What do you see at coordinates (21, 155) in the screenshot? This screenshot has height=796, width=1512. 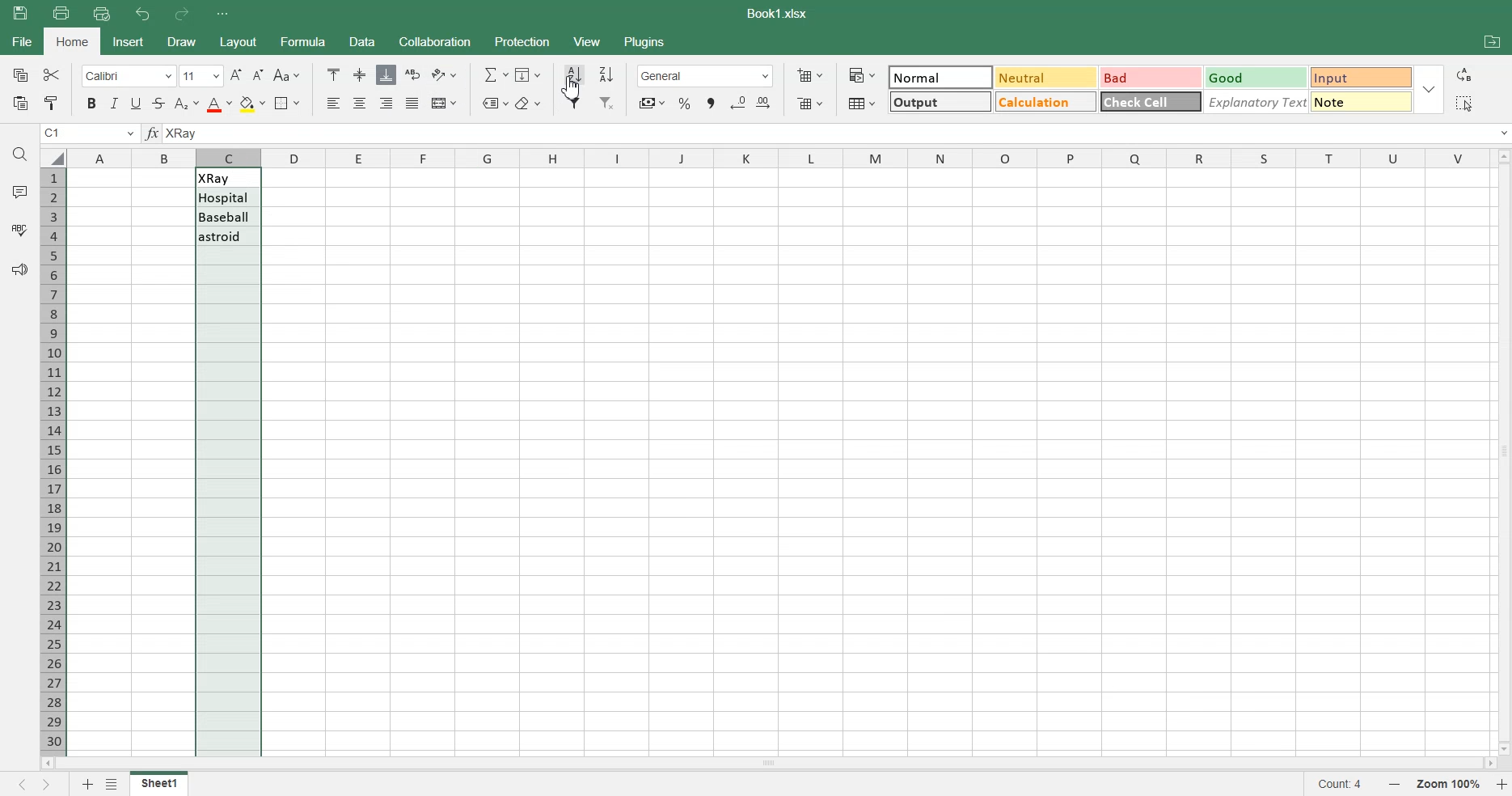 I see `Search` at bounding box center [21, 155].